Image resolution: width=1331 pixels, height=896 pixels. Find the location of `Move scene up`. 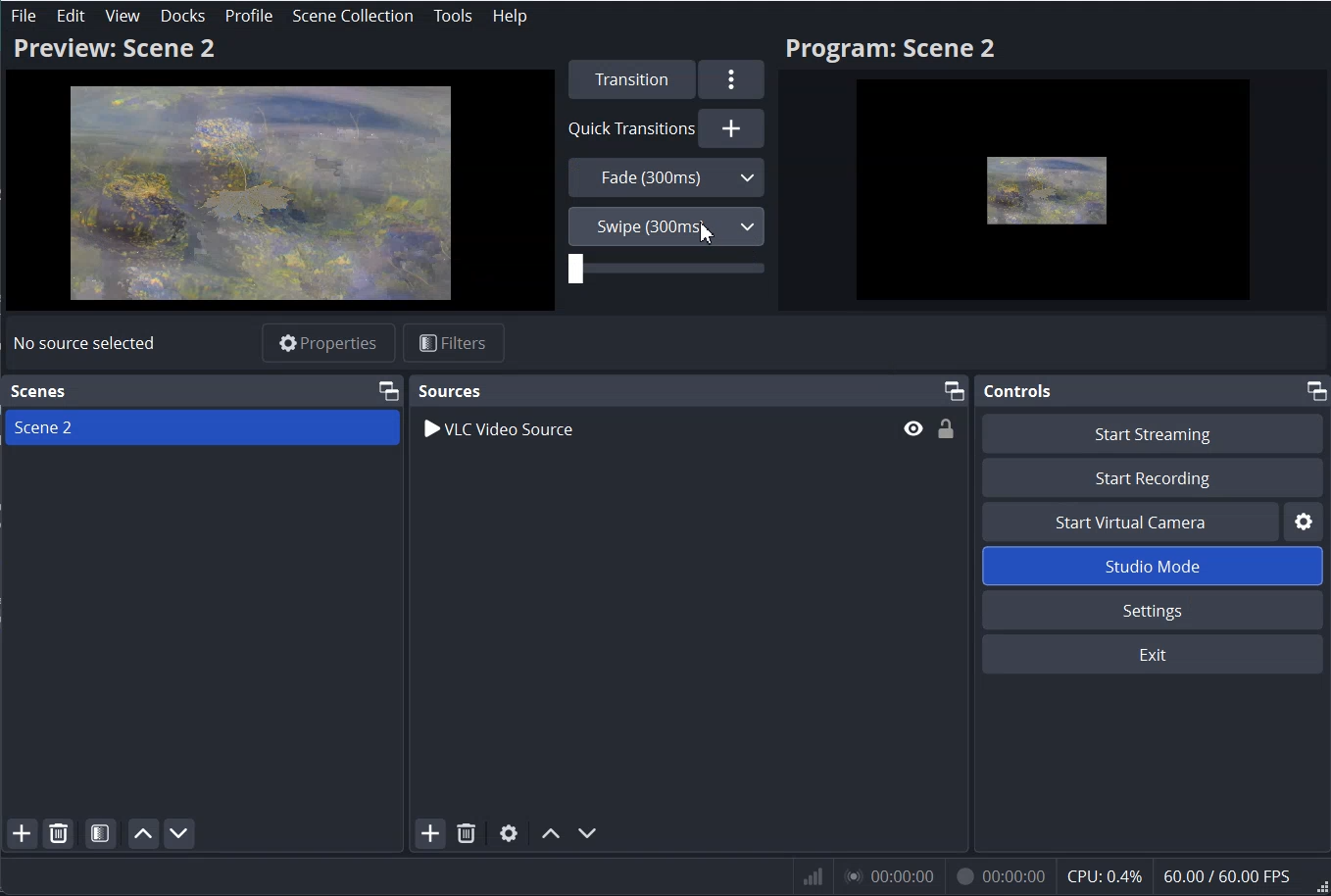

Move scene up is located at coordinates (142, 833).